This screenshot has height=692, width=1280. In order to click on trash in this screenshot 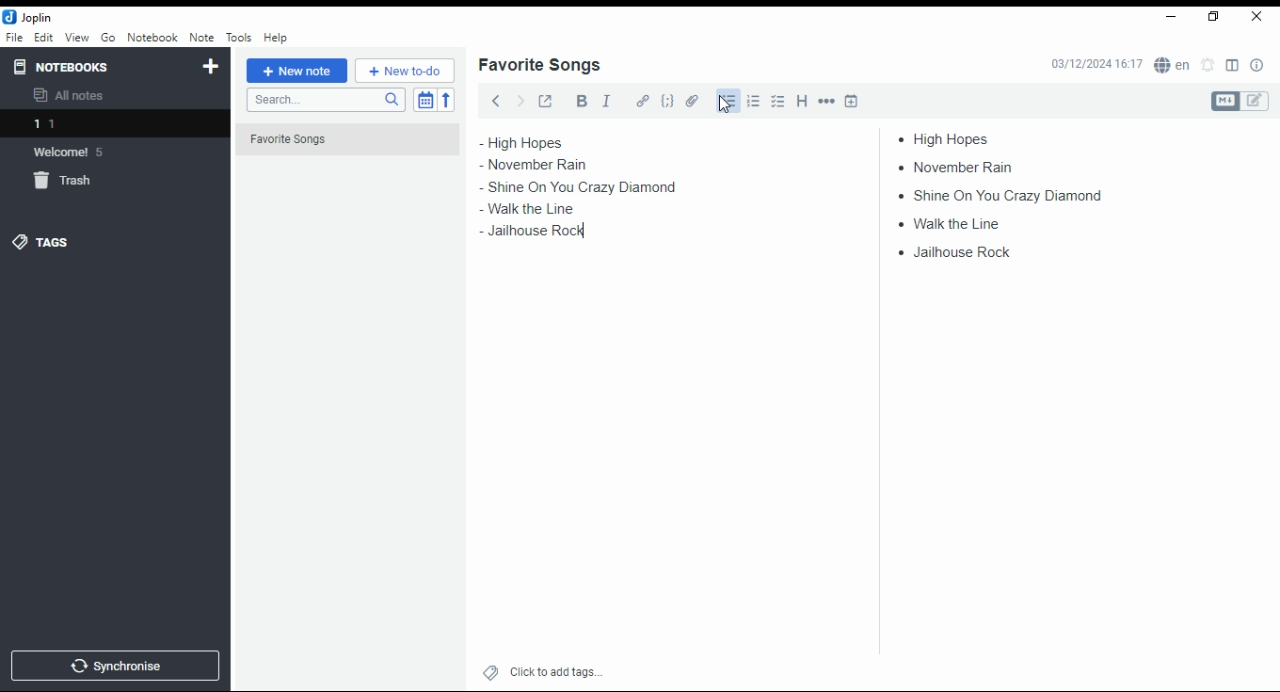, I will do `click(74, 184)`.